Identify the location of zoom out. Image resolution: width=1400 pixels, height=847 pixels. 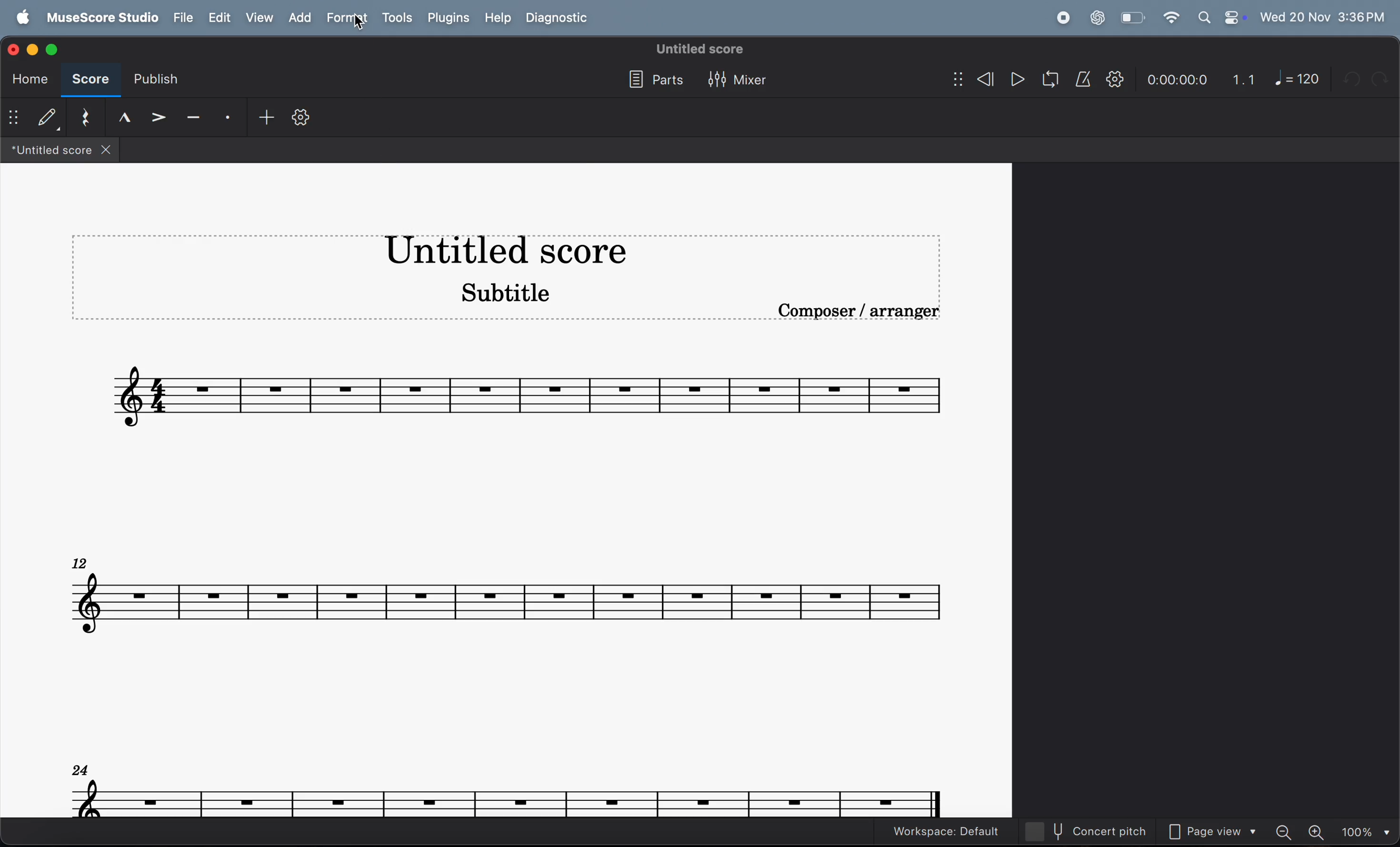
(1287, 831).